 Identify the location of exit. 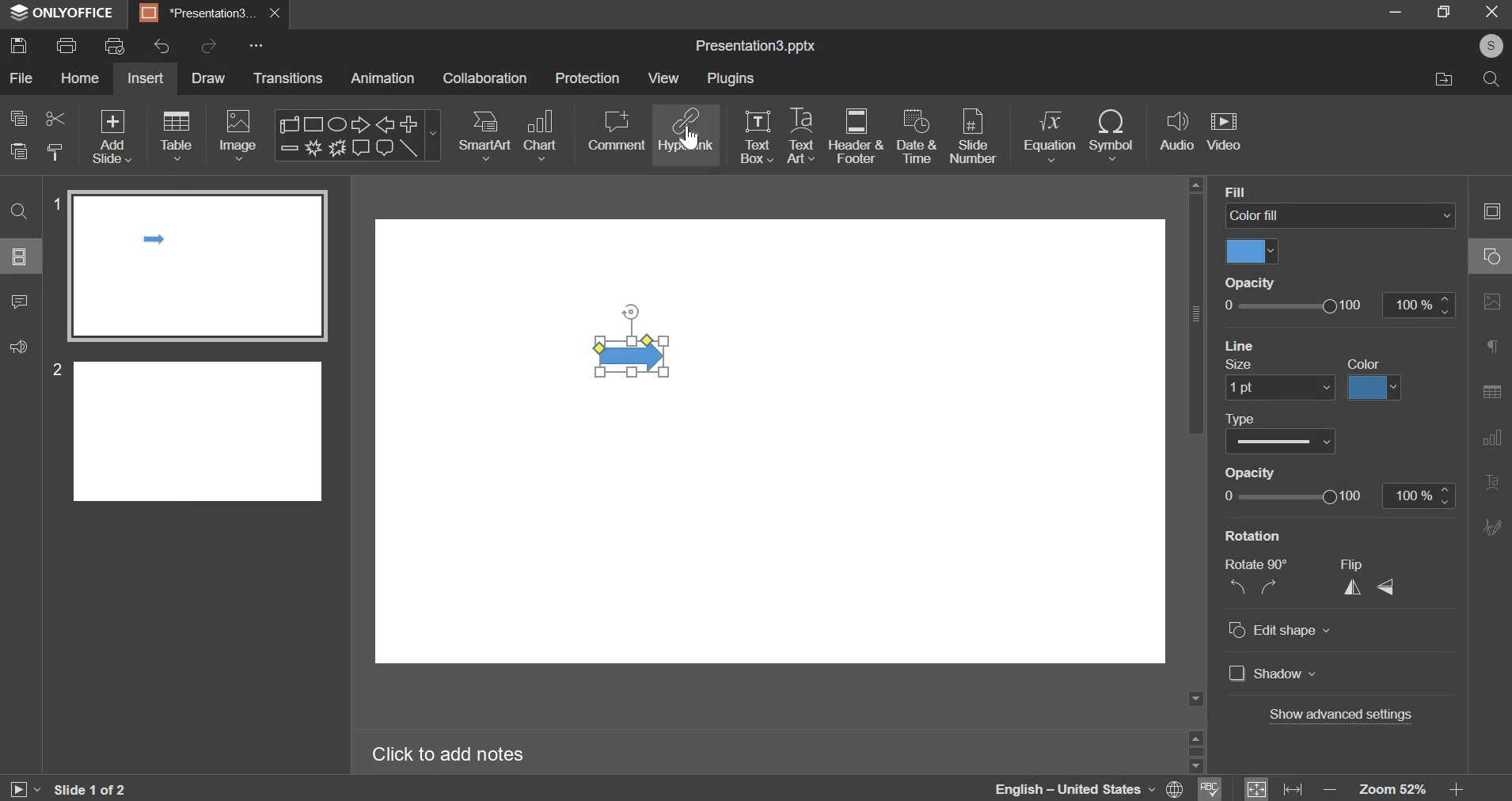
(1494, 12).